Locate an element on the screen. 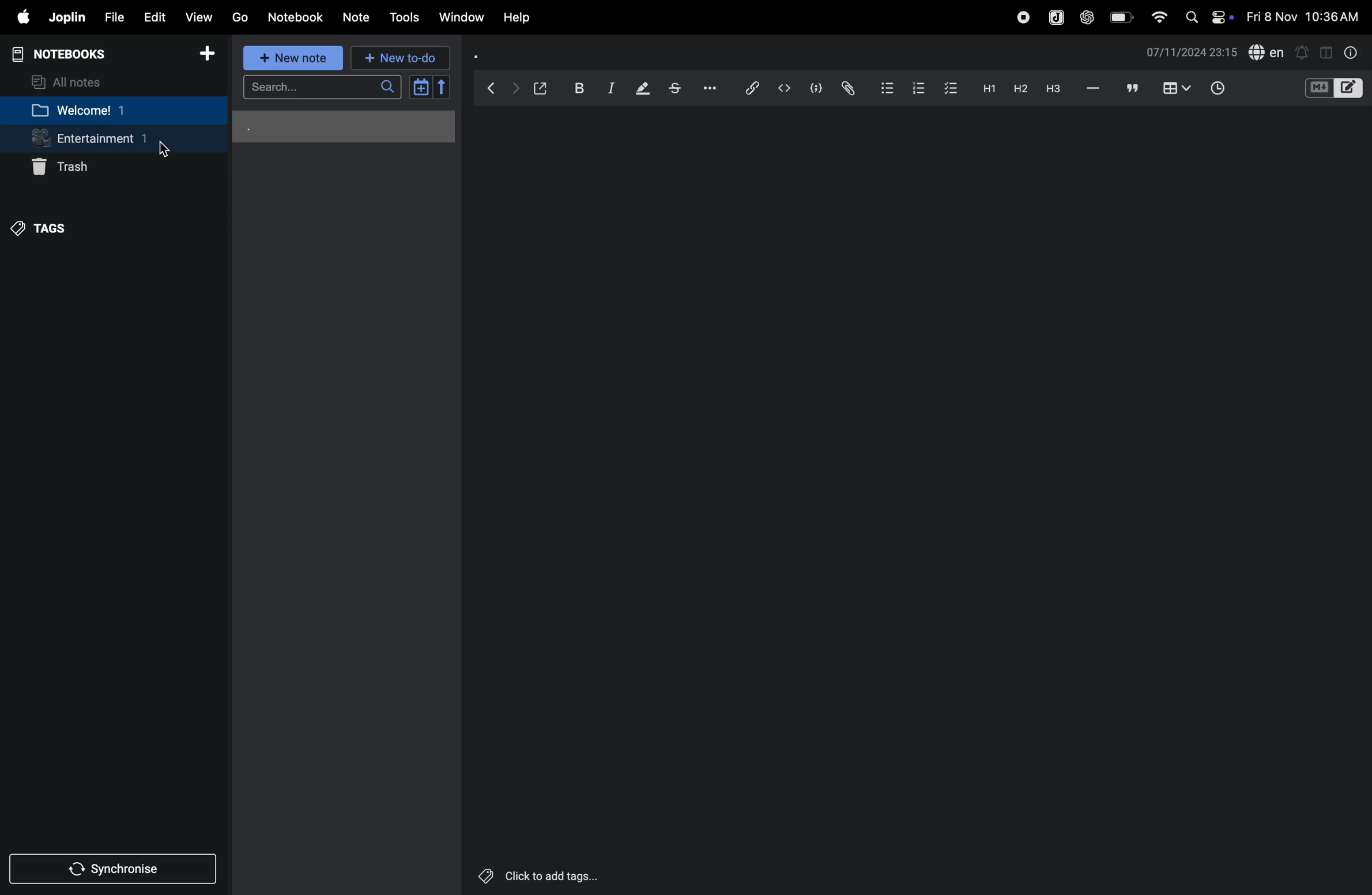 This screenshot has height=895, width=1372. forward is located at coordinates (515, 89).